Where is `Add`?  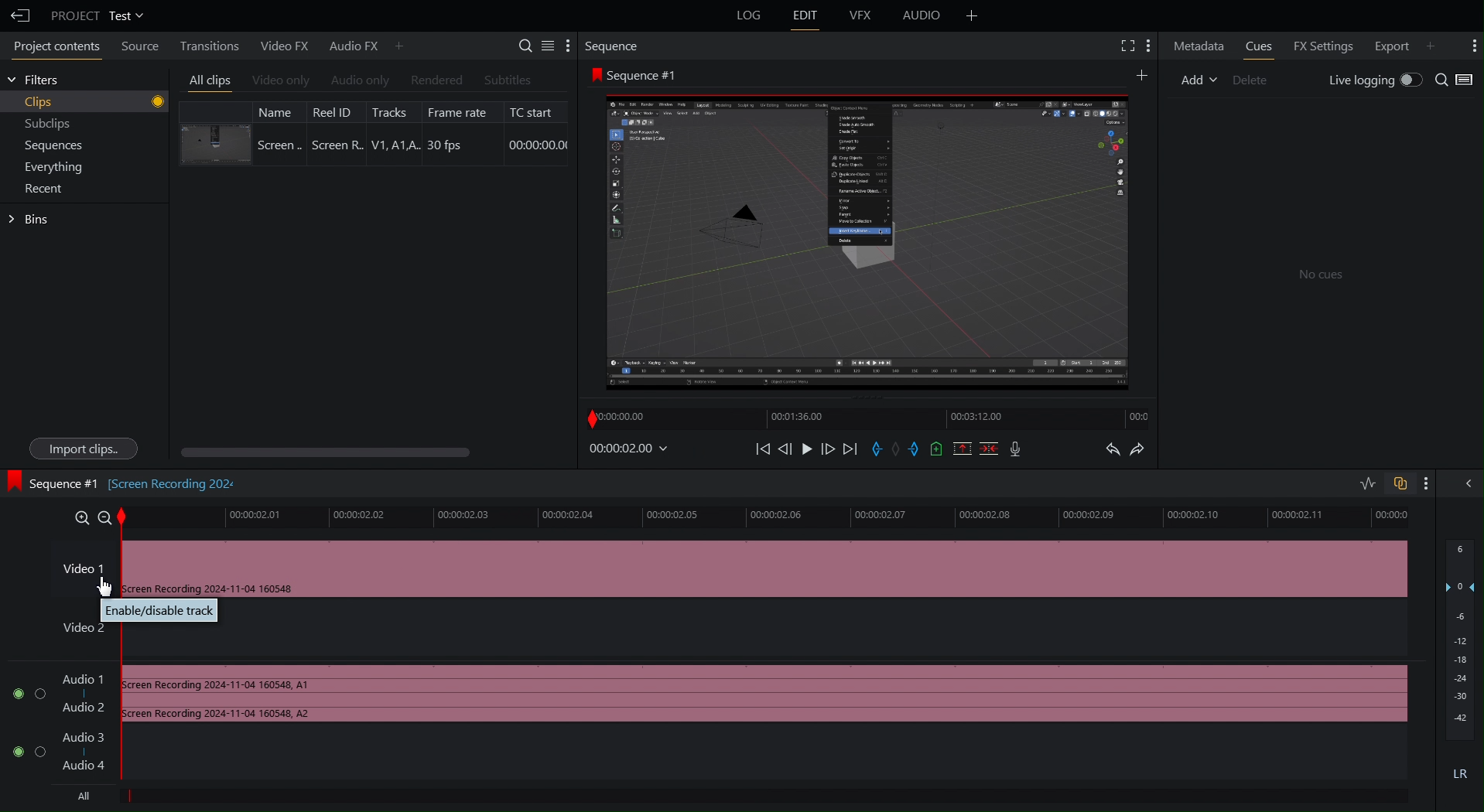 Add is located at coordinates (1194, 79).